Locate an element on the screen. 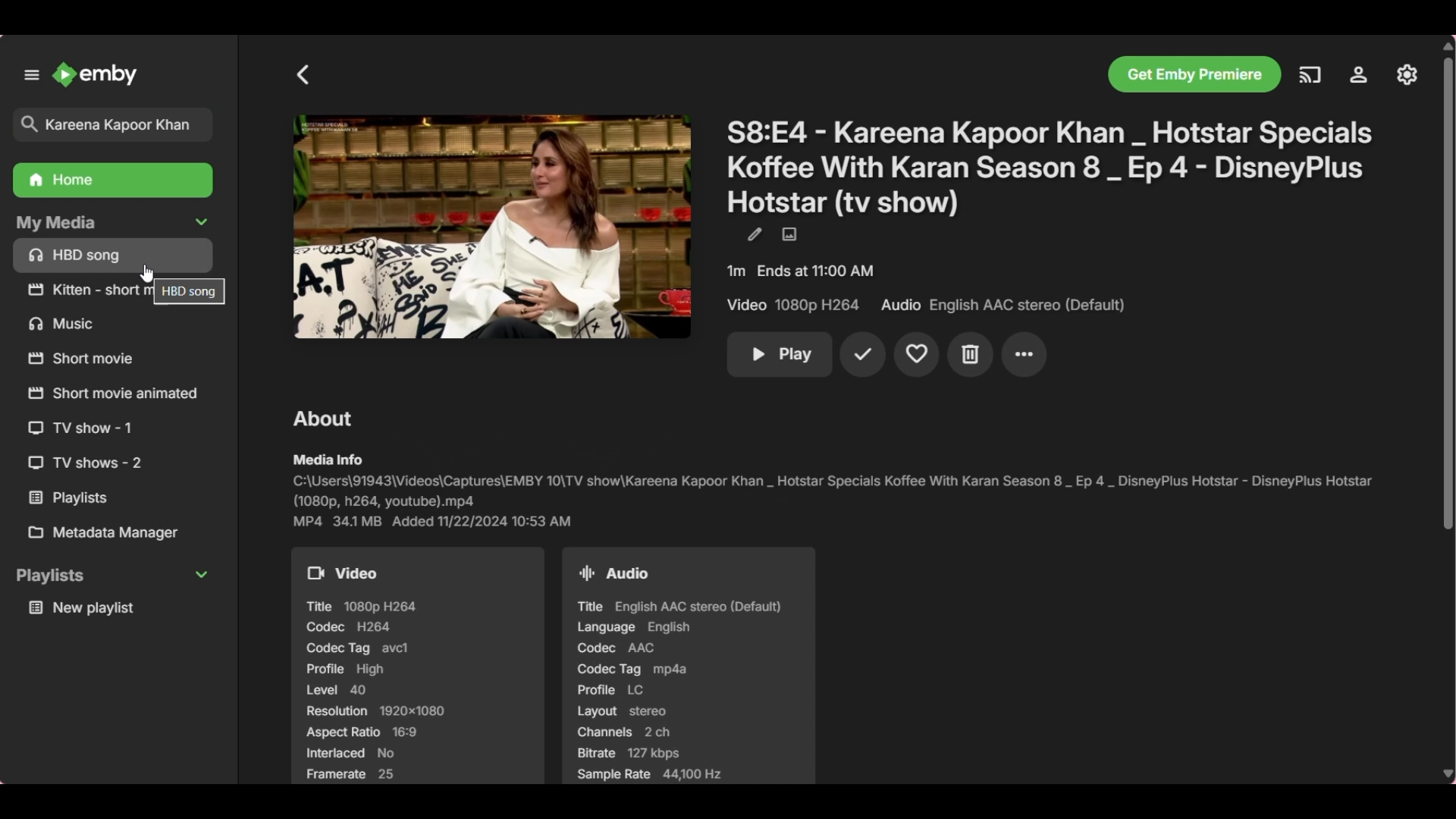 Image resolution: width=1456 pixels, height=819 pixels.  is located at coordinates (91, 497).